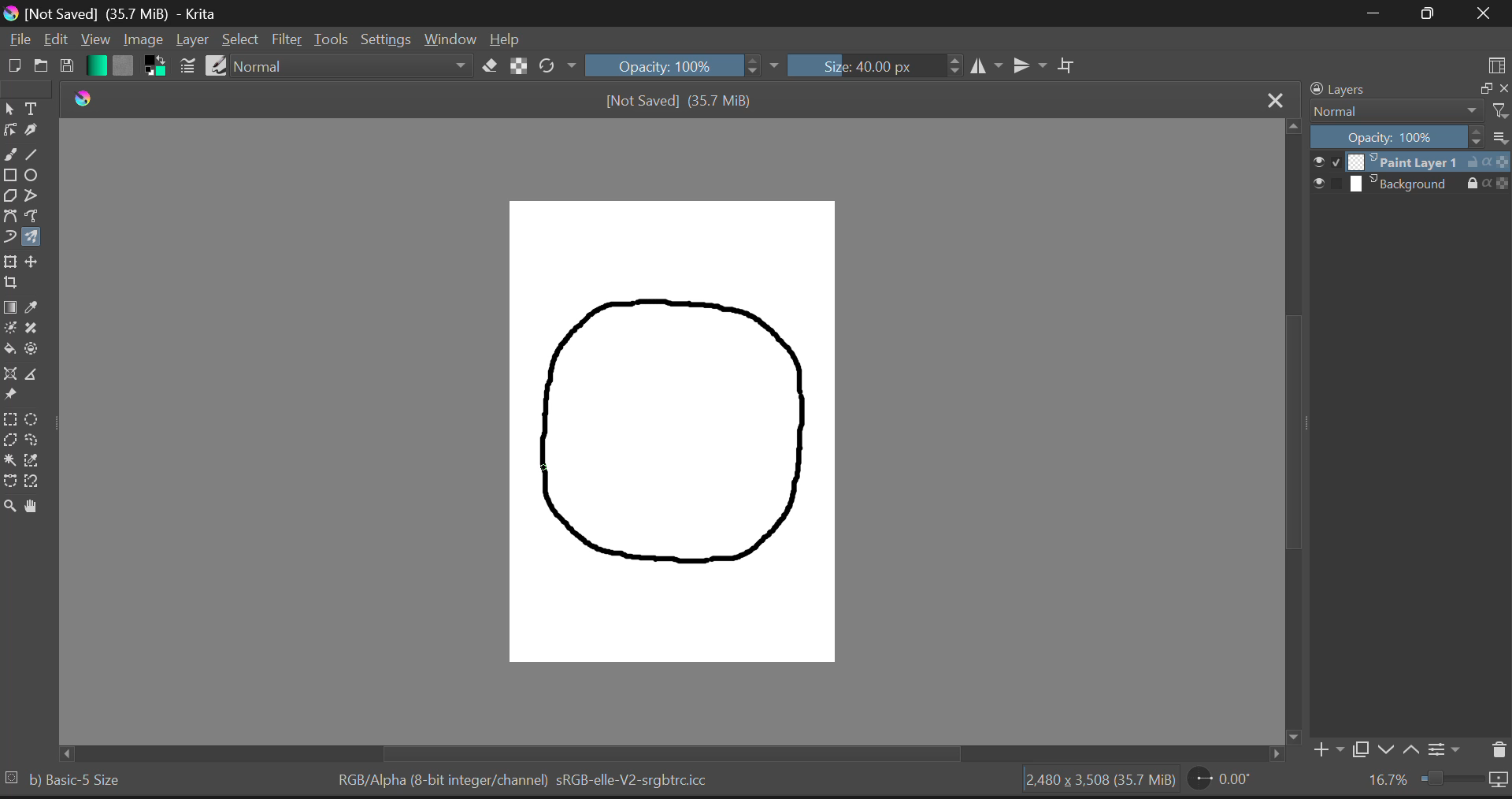 The height and width of the screenshot is (799, 1512). What do you see at coordinates (82, 98) in the screenshot?
I see `Krita Logo` at bounding box center [82, 98].